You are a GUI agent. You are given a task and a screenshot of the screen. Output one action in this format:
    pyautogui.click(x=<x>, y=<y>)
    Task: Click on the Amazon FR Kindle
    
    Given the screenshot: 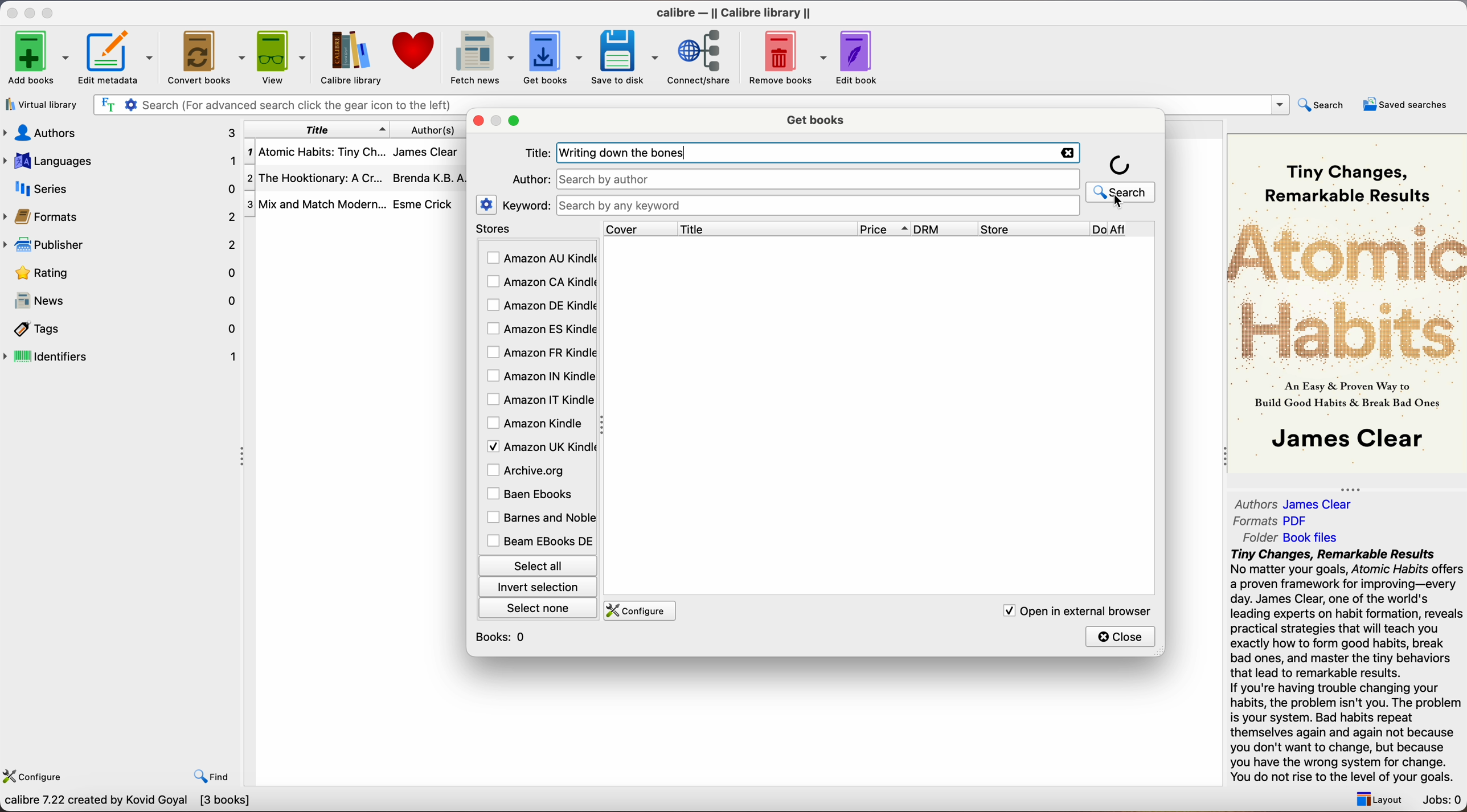 What is the action you would take?
    pyautogui.click(x=540, y=351)
    